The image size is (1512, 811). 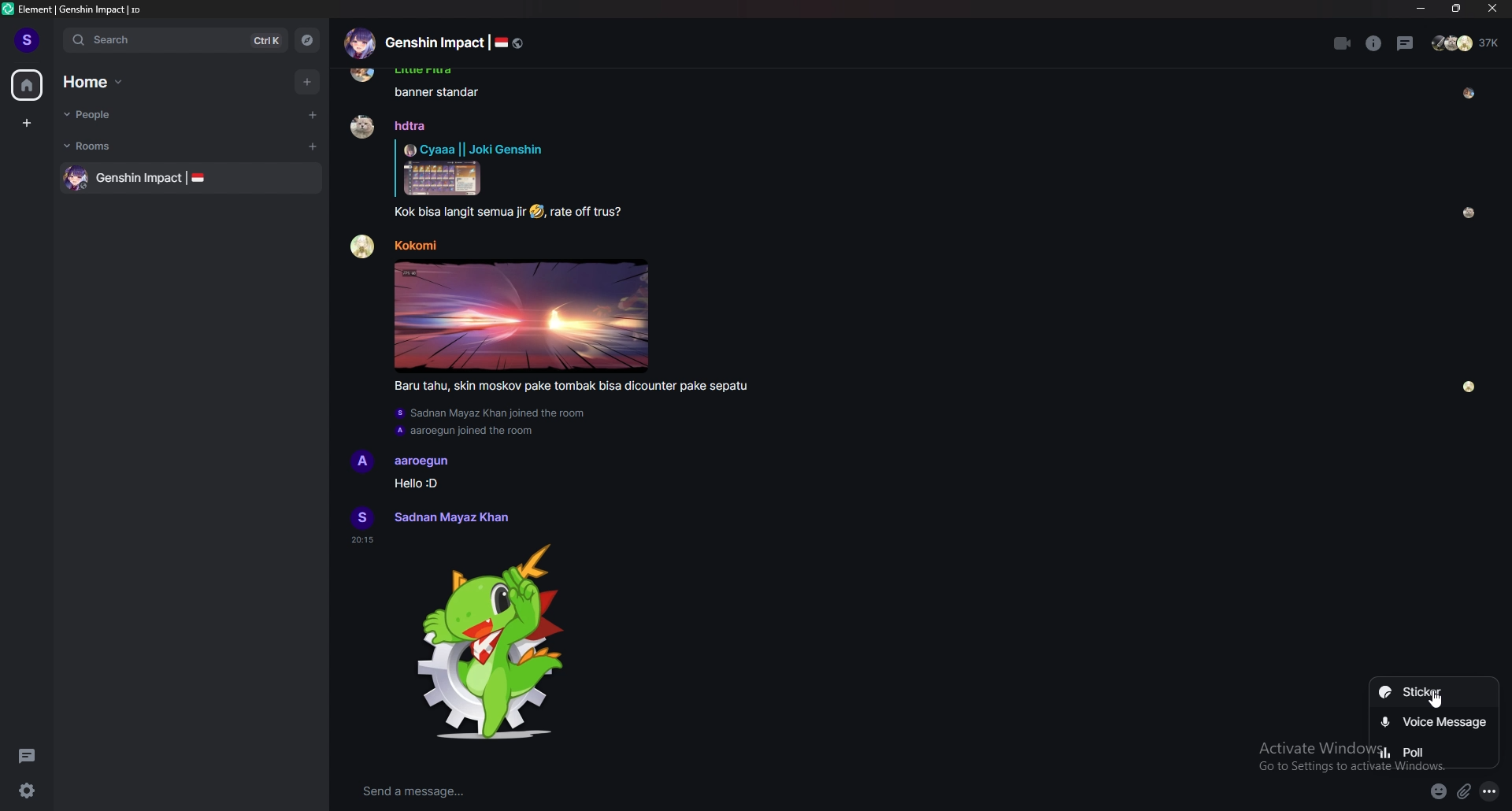 I want to click on search, so click(x=172, y=39).